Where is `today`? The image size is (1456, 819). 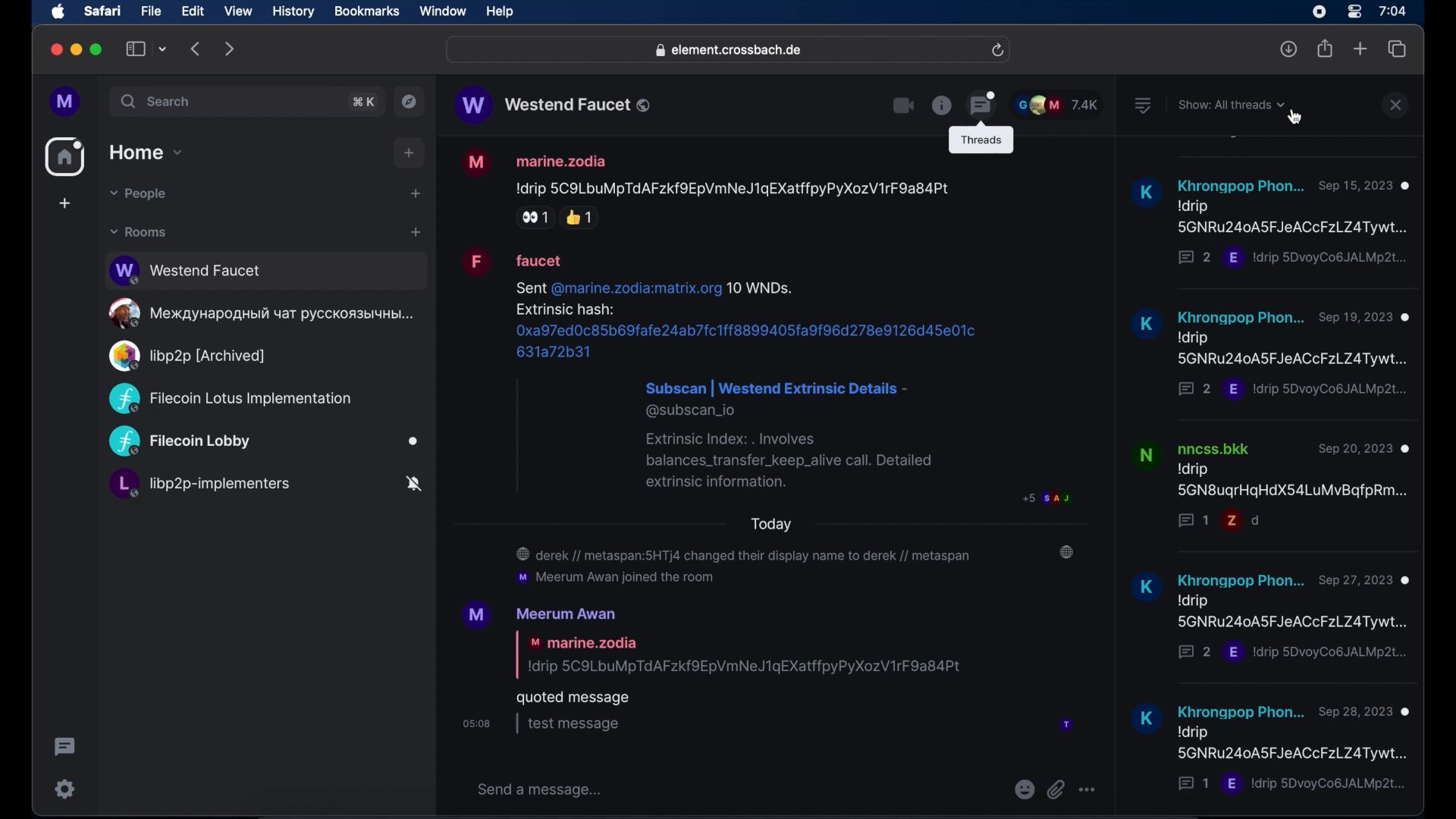
today is located at coordinates (771, 522).